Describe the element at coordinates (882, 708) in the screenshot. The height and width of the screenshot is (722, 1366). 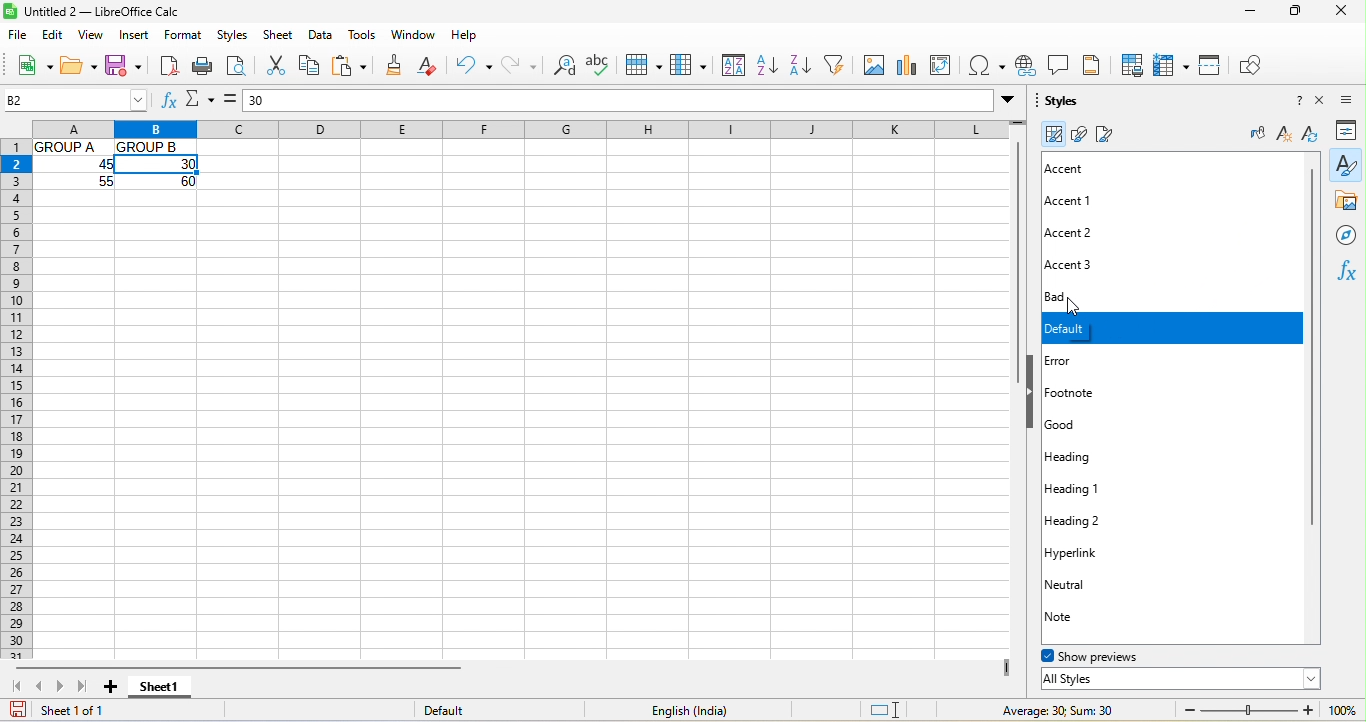
I see `standard selection` at that location.